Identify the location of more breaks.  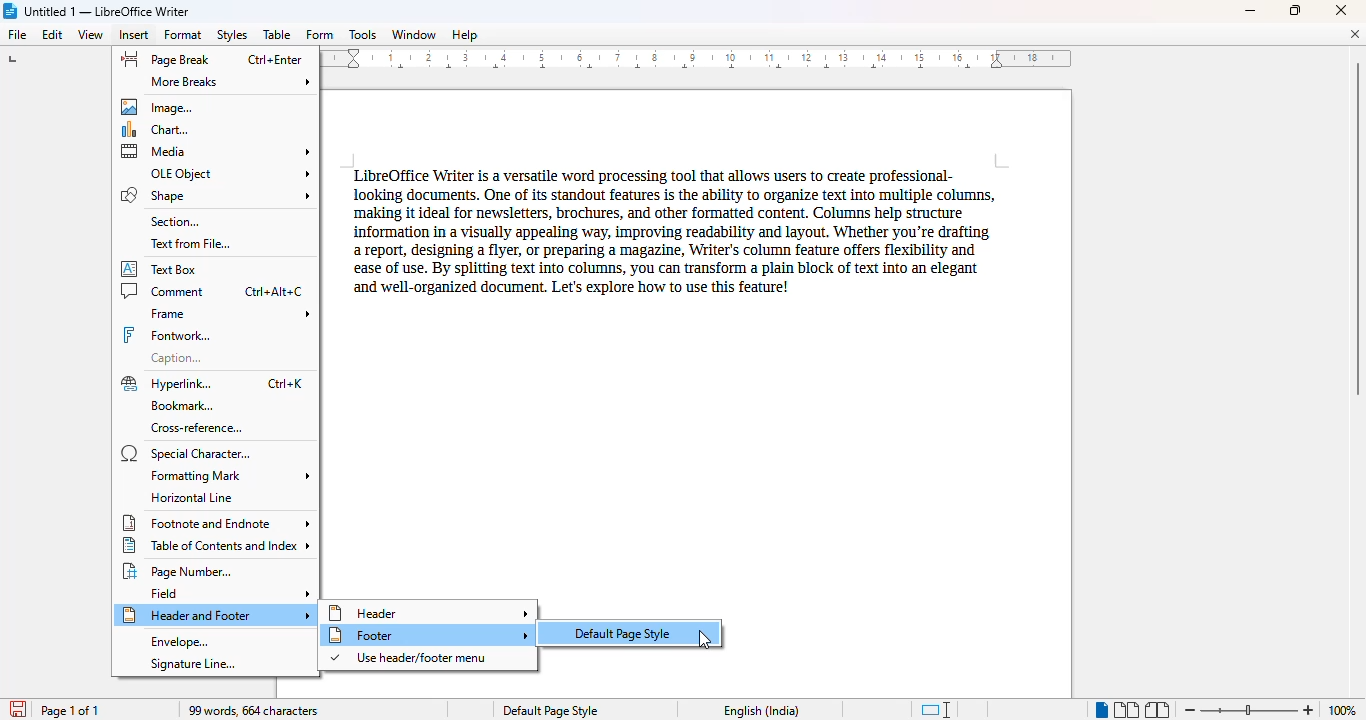
(231, 82).